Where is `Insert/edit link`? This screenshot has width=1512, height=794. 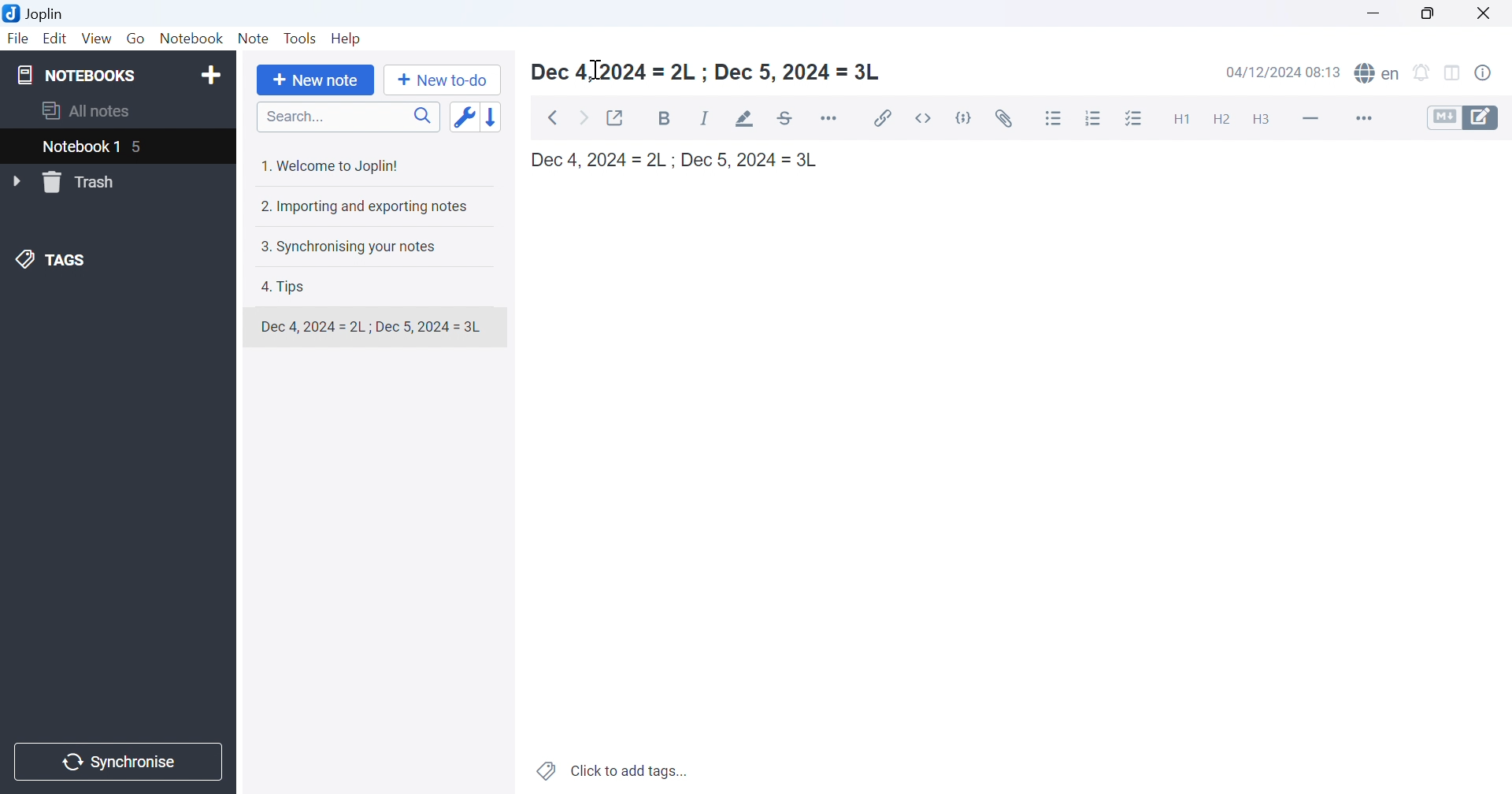
Insert/edit link is located at coordinates (884, 118).